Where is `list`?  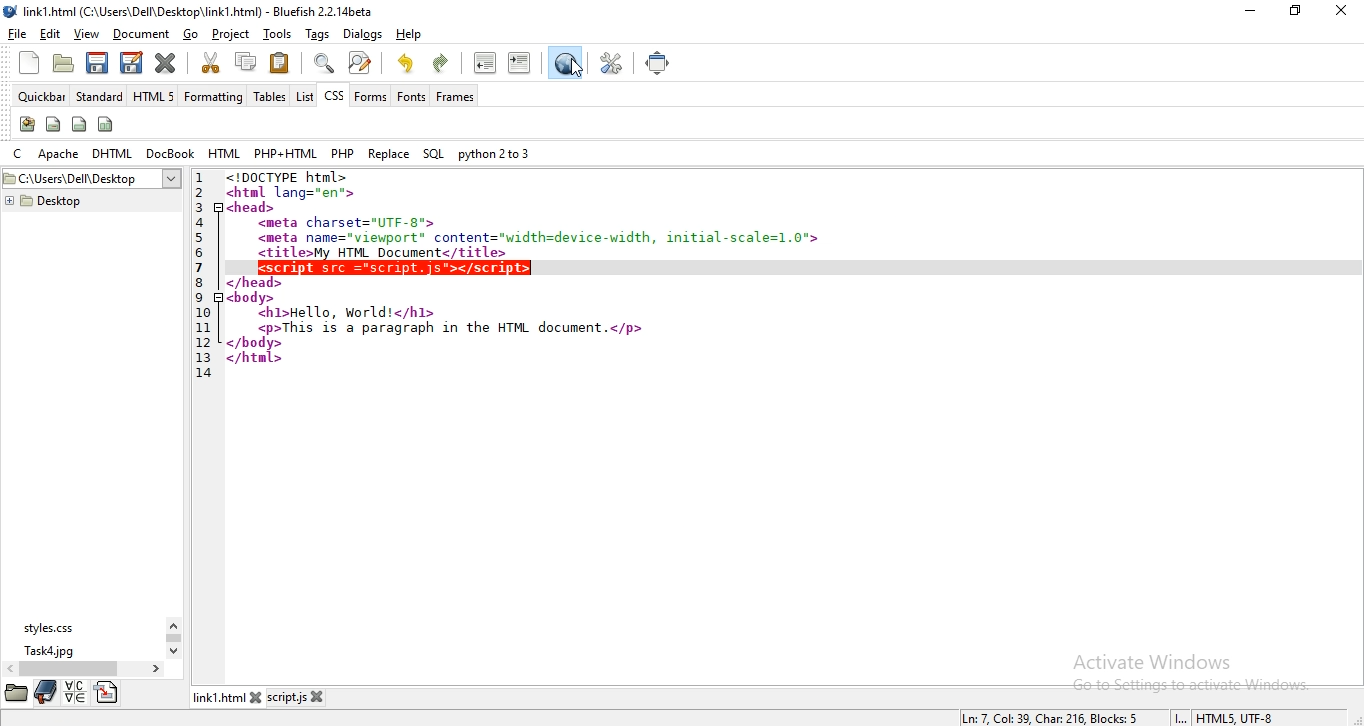
list is located at coordinates (303, 95).